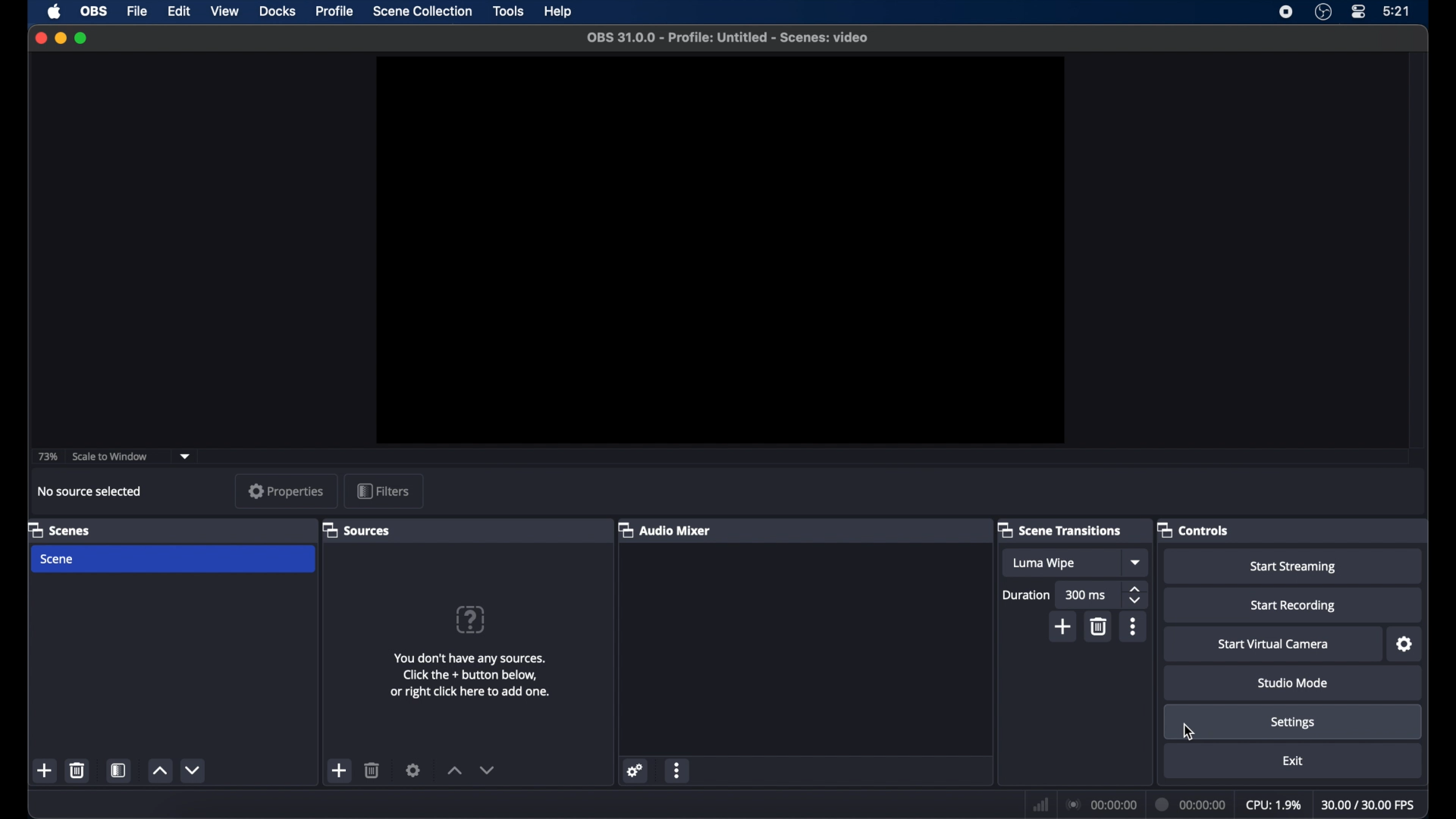 The height and width of the screenshot is (819, 1456). Describe the element at coordinates (1287, 11) in the screenshot. I see `screen recorder` at that location.